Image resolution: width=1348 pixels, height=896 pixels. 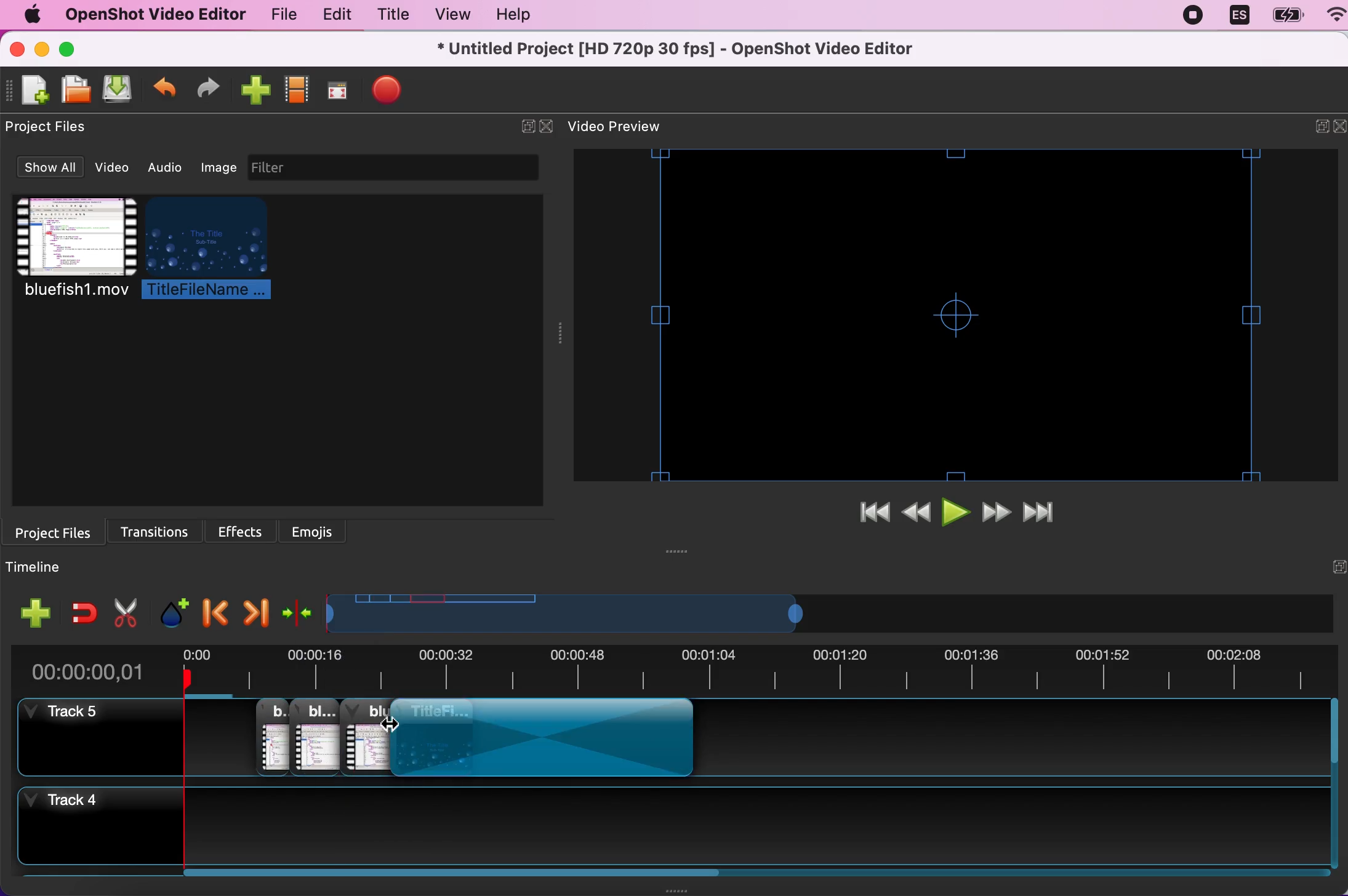 I want to click on effects, so click(x=245, y=529).